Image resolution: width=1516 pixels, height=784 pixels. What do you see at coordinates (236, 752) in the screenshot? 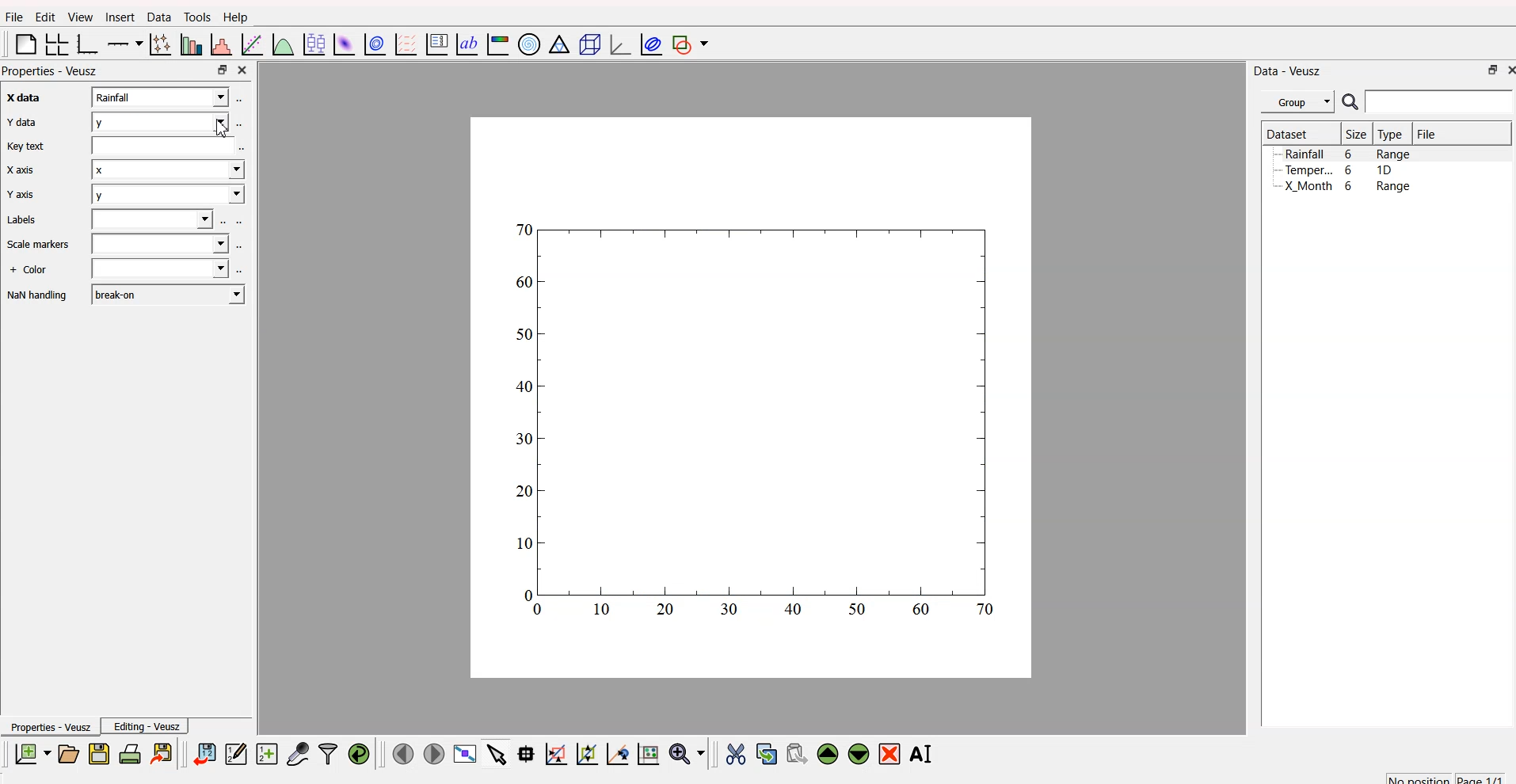
I see `editor` at bounding box center [236, 752].